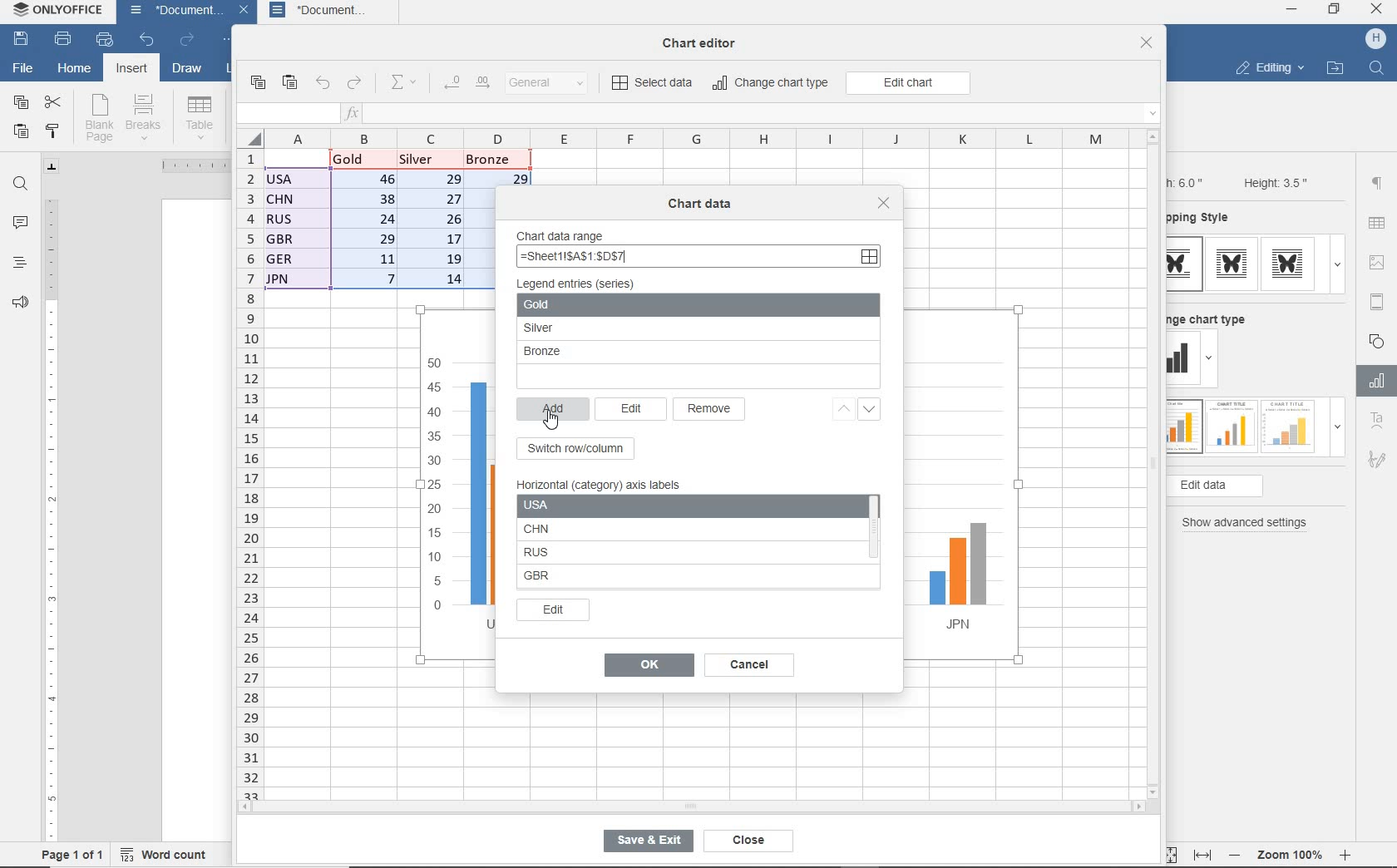 This screenshot has height=868, width=1397. I want to click on =Sheet11SA$1:$DS7, so click(703, 256).